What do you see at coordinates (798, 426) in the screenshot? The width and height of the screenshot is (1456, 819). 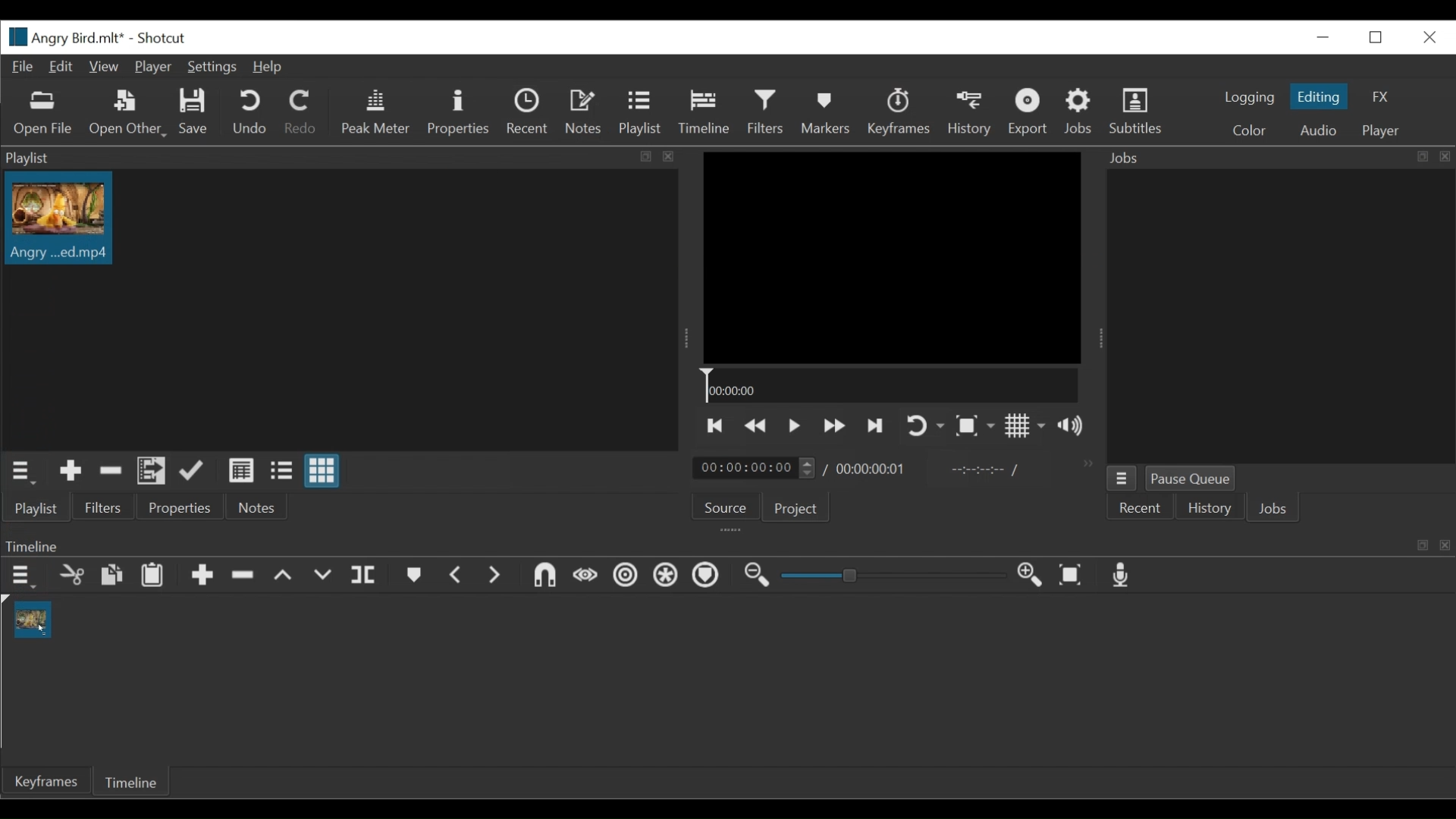 I see `Toggle play or pause` at bounding box center [798, 426].